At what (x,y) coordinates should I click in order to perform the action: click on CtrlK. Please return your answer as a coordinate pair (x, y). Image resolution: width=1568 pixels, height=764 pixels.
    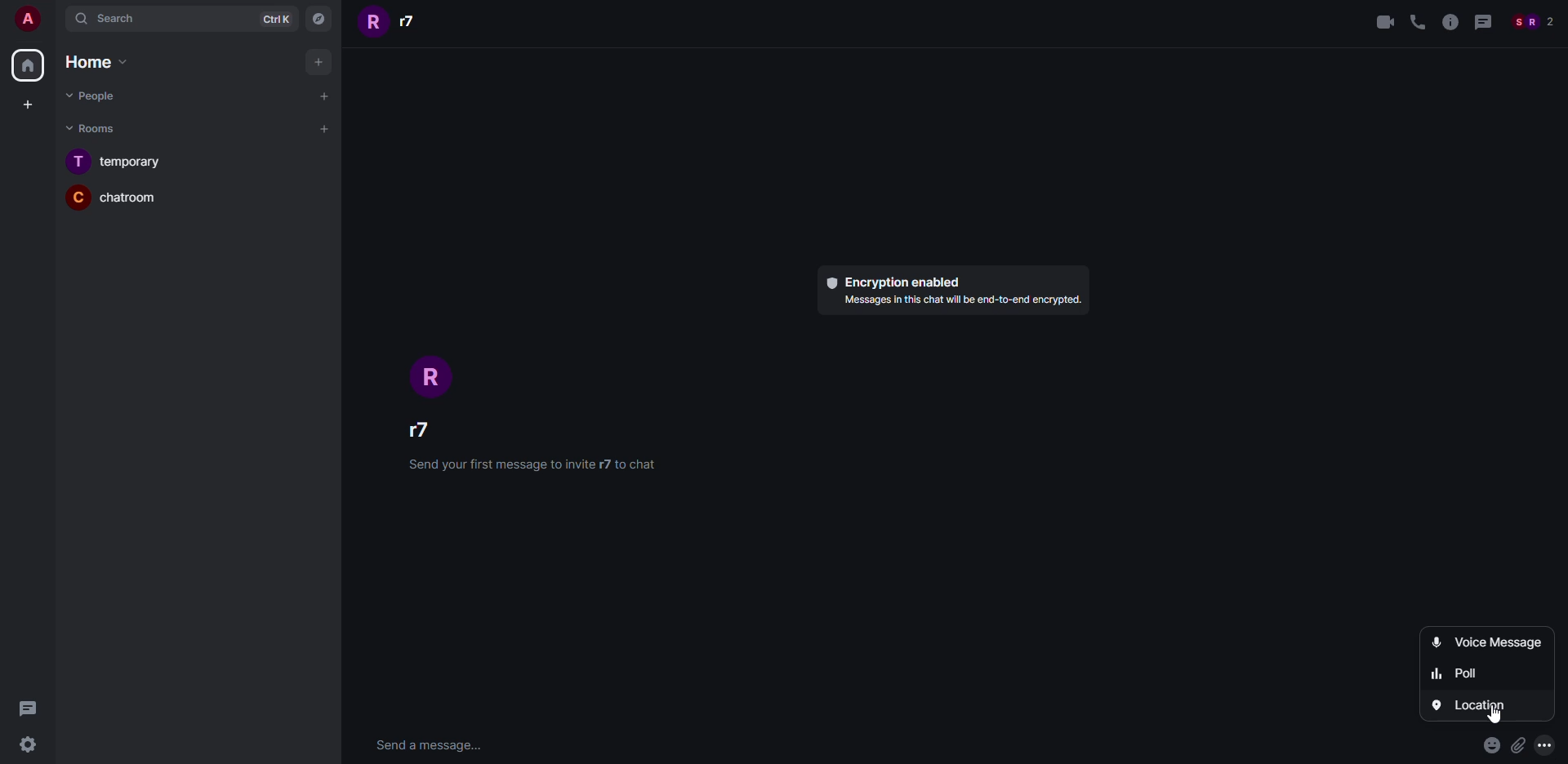
    Looking at the image, I should click on (278, 19).